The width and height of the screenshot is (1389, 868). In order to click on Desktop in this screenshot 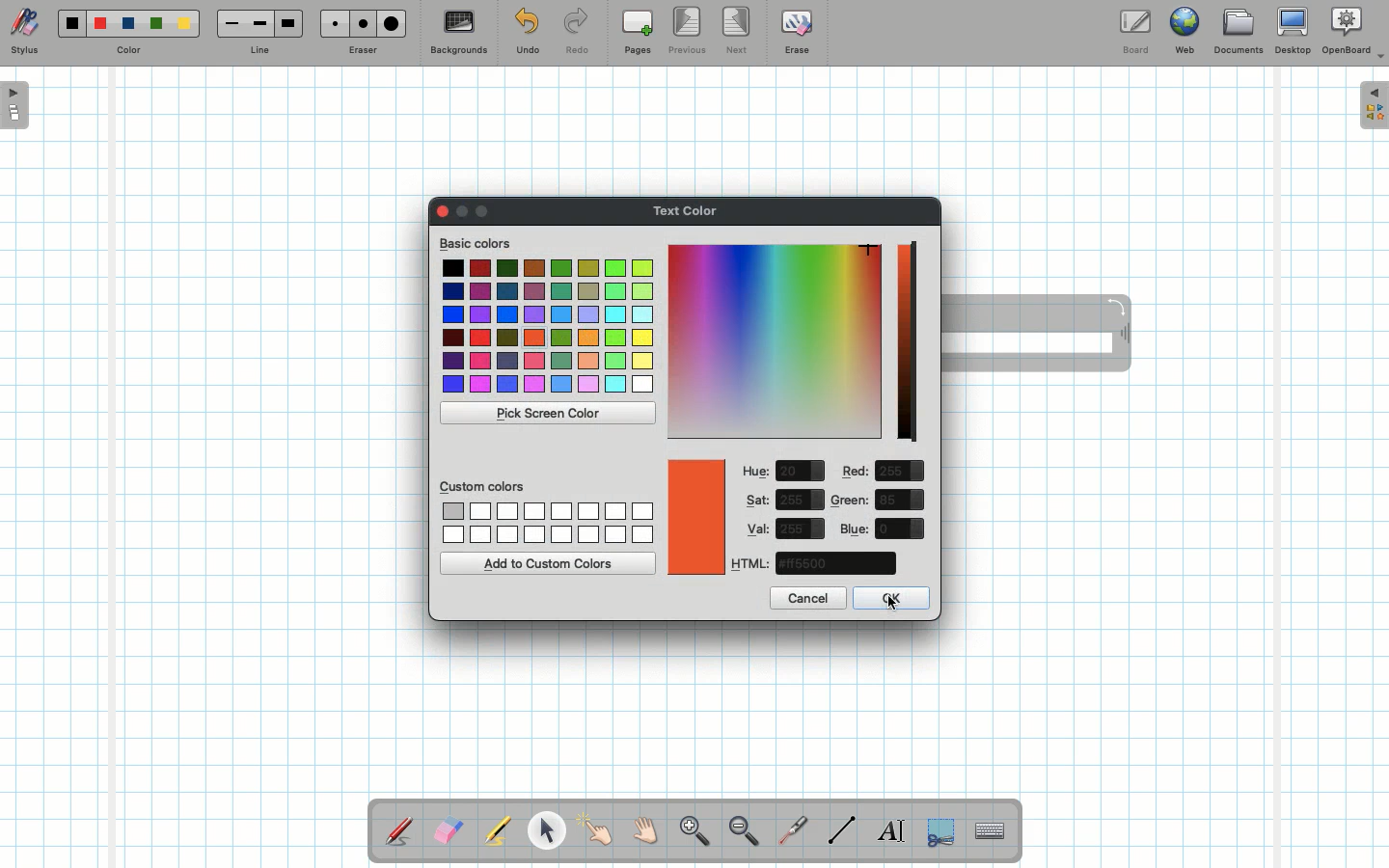, I will do `click(1295, 31)`.